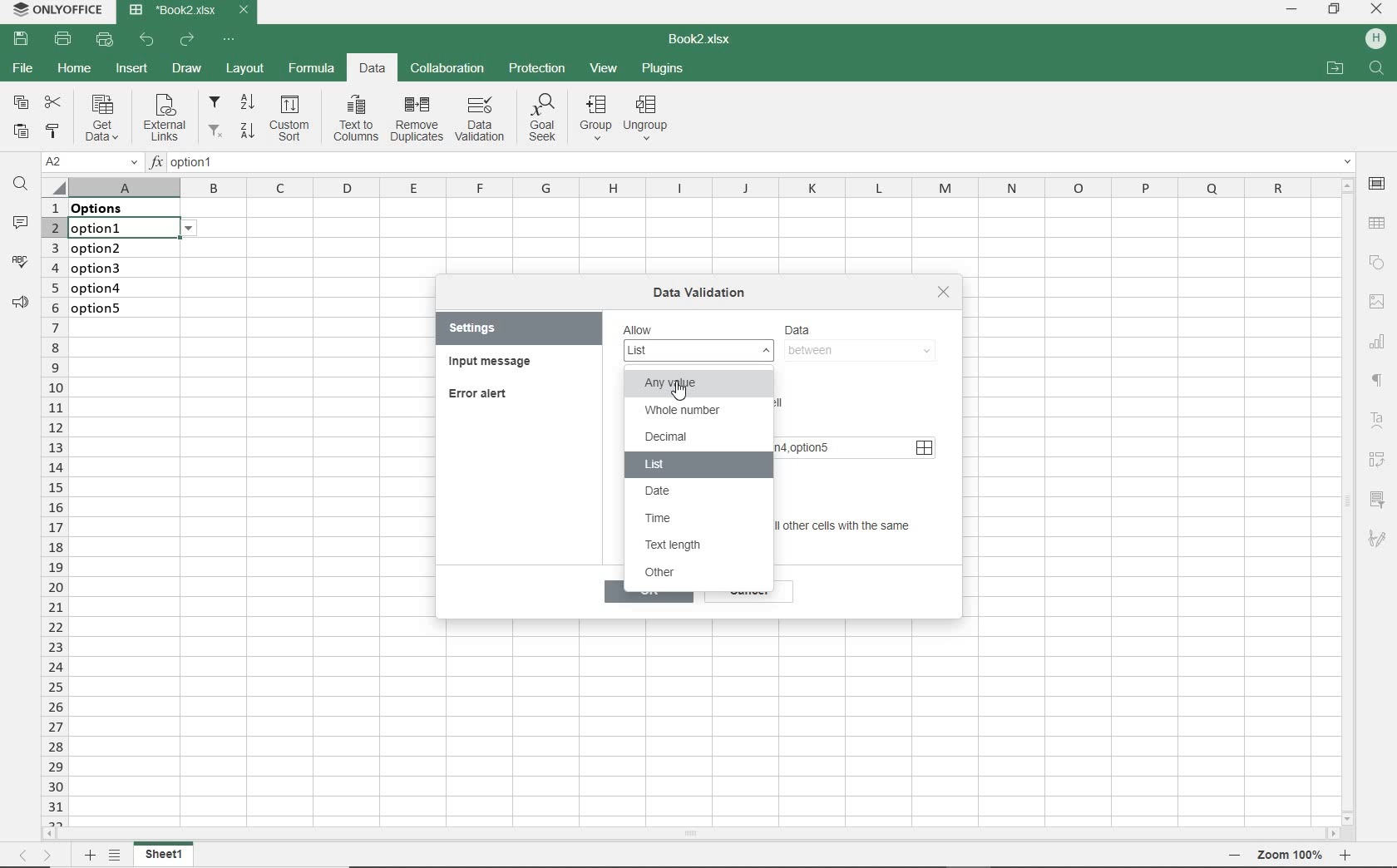 The image size is (1397, 868). Describe the element at coordinates (149, 40) in the screenshot. I see `UNDO` at that location.